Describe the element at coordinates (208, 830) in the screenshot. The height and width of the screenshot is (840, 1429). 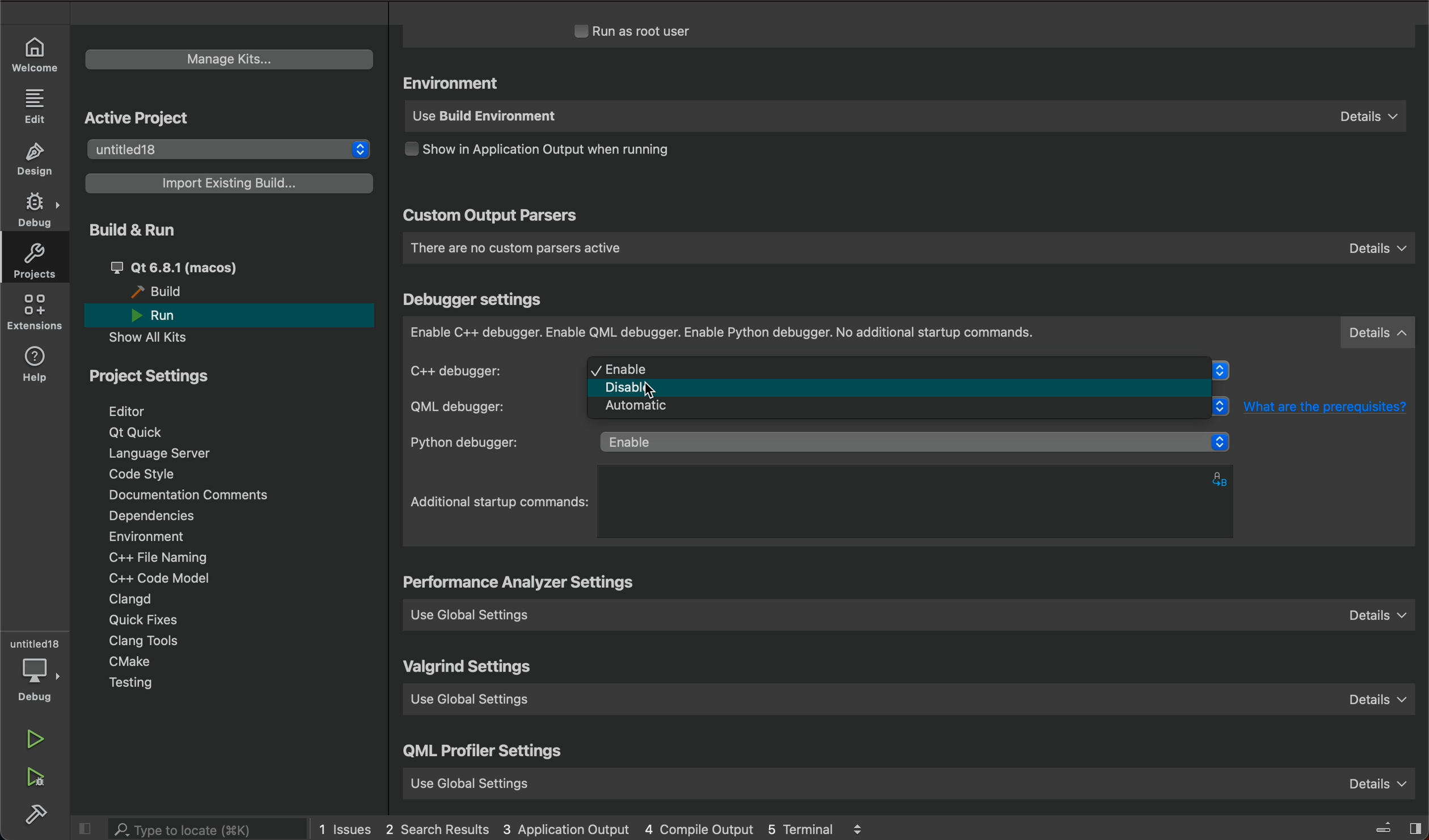
I see `search` at that location.